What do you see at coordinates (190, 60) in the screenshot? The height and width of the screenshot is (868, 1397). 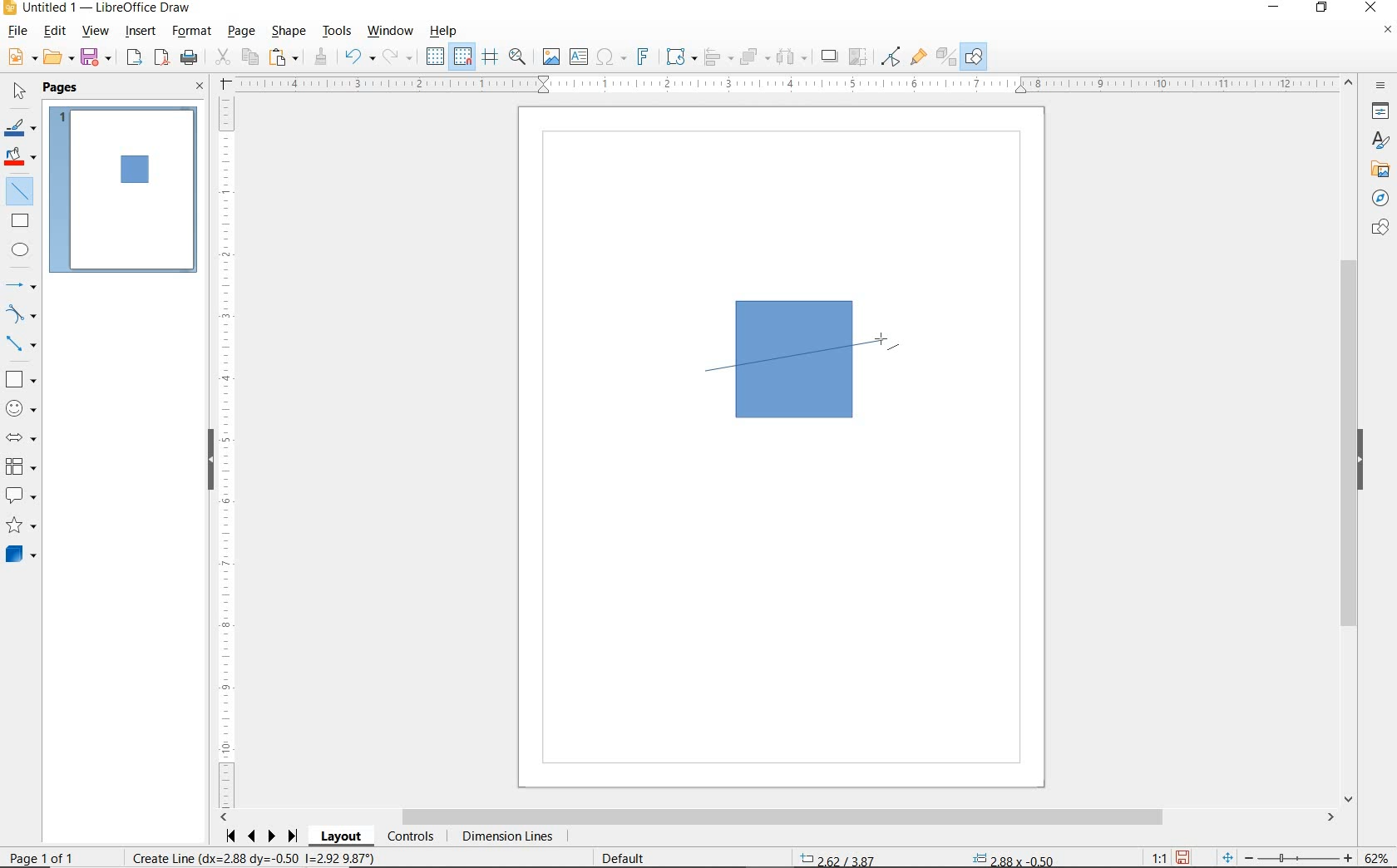 I see `PRINT` at bounding box center [190, 60].